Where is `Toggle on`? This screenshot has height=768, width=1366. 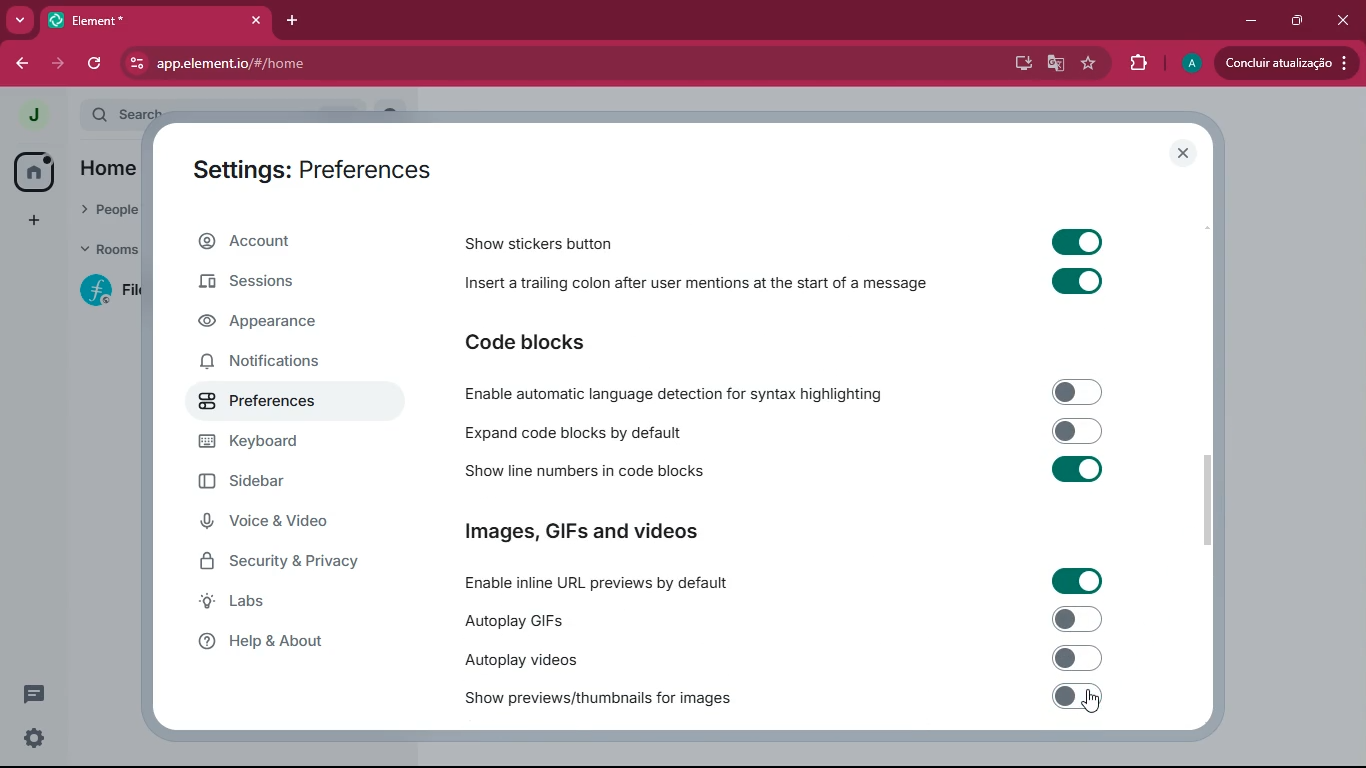 Toggle on is located at coordinates (1077, 281).